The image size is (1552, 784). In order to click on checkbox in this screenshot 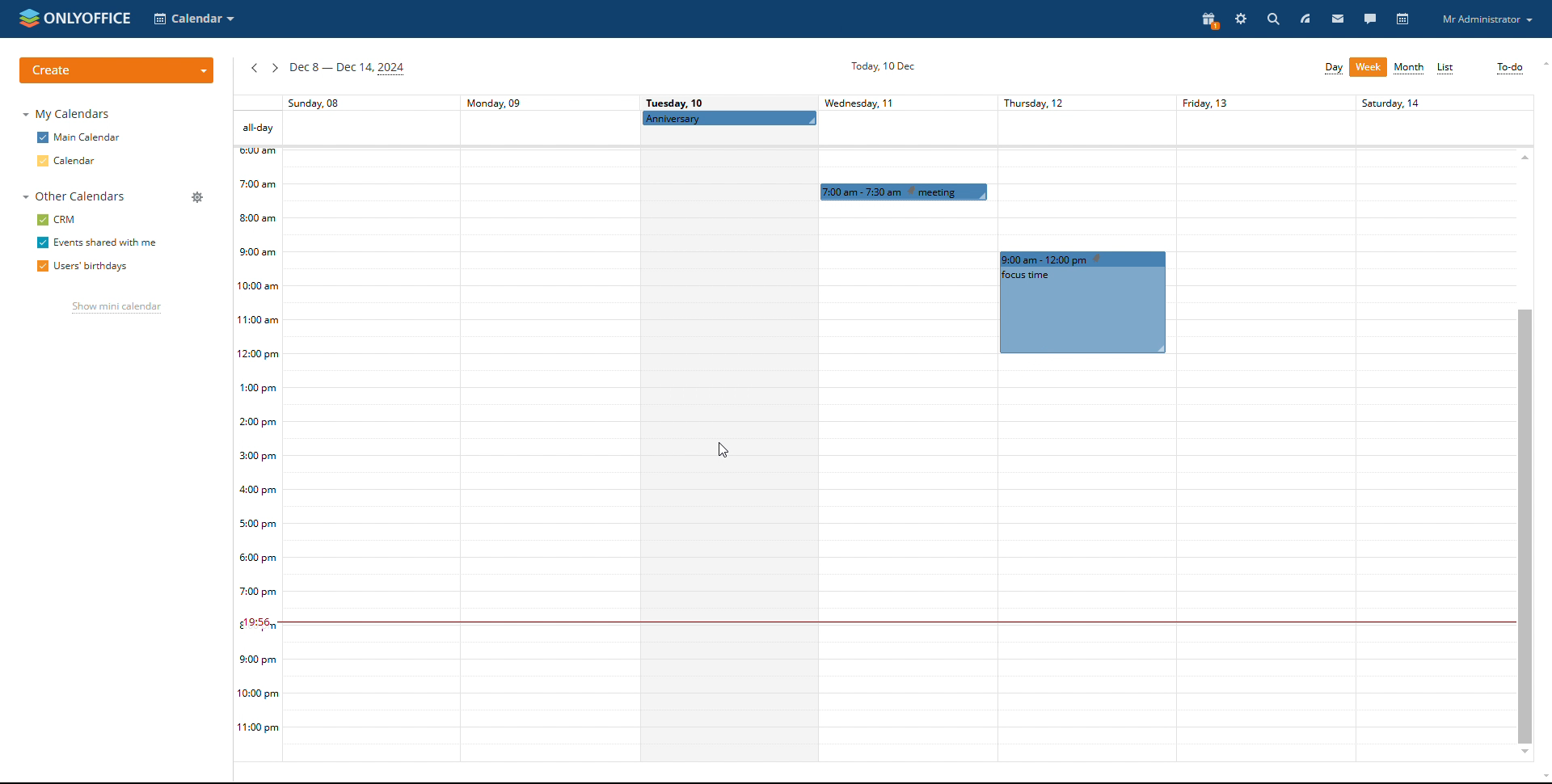, I will do `click(40, 266)`.